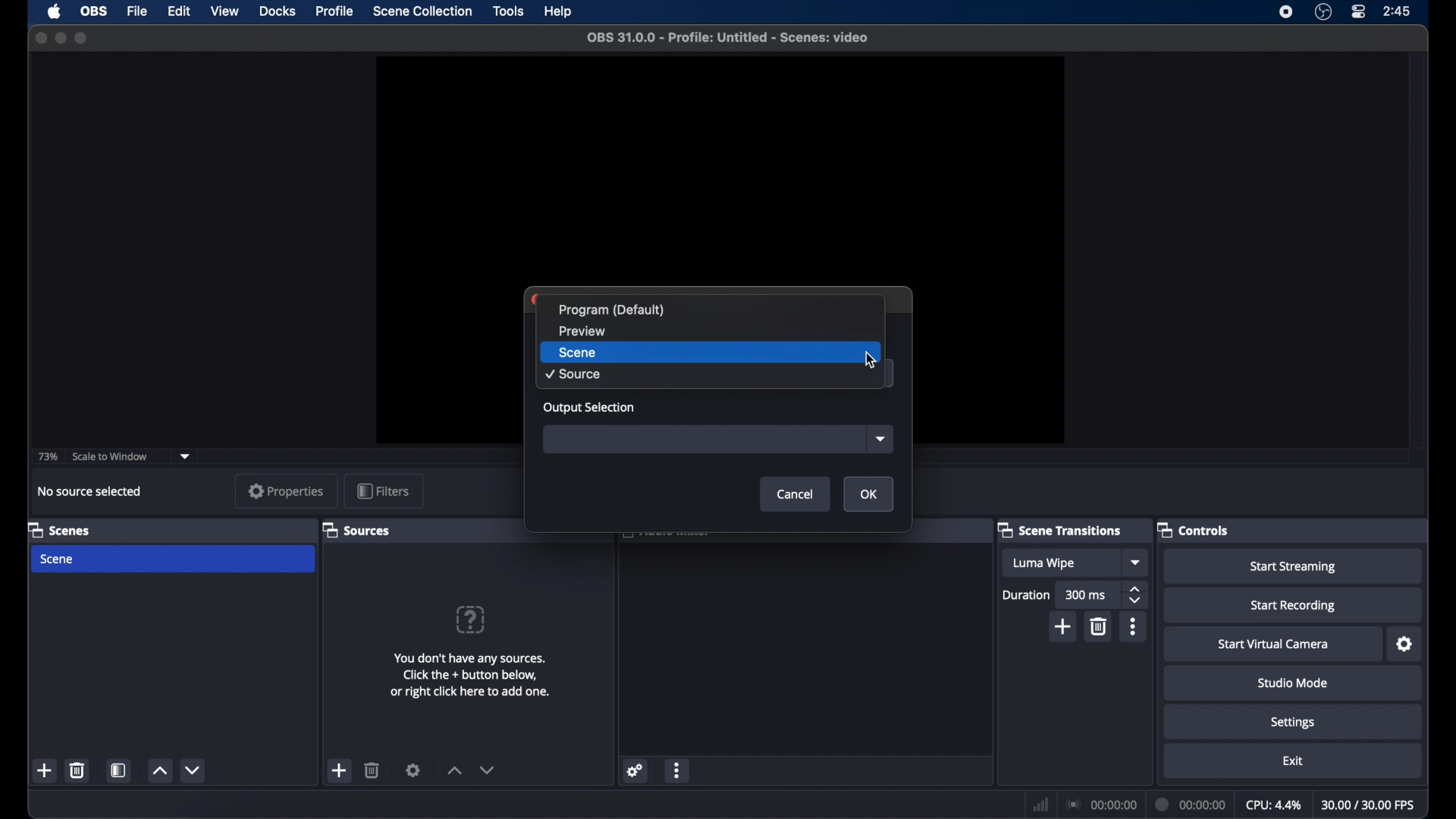  Describe the element at coordinates (868, 494) in the screenshot. I see `ok` at that location.